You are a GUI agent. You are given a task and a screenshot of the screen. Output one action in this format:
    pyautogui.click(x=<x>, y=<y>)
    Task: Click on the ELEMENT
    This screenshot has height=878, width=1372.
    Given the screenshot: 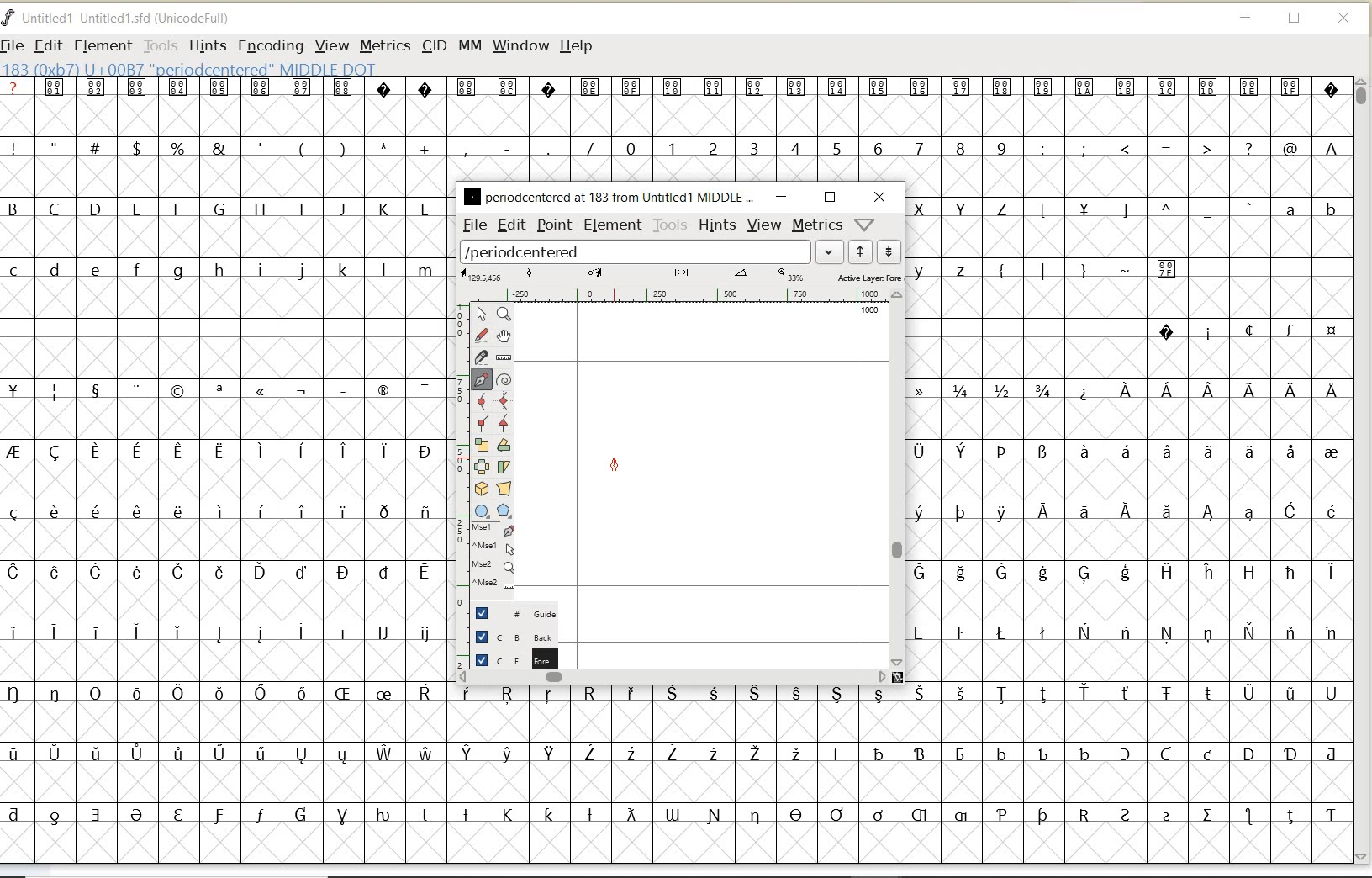 What is the action you would take?
    pyautogui.click(x=103, y=45)
    